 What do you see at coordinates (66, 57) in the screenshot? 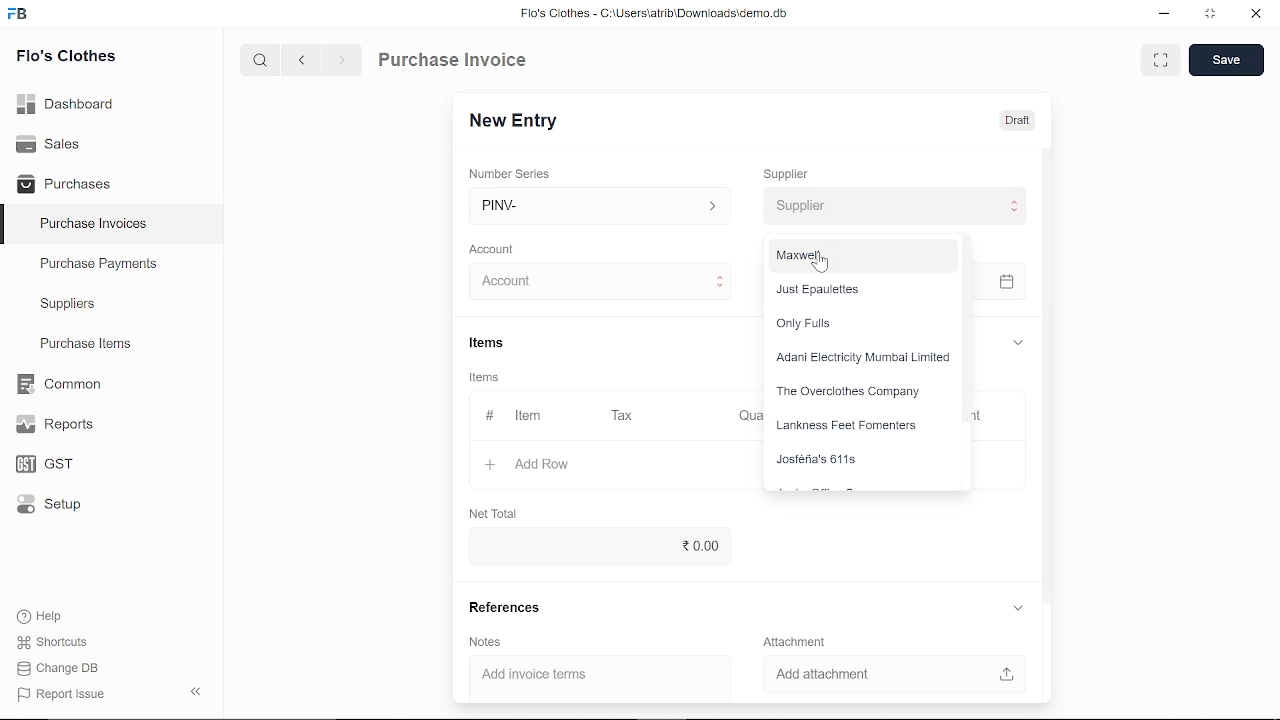
I see `Flo's Clothes` at bounding box center [66, 57].